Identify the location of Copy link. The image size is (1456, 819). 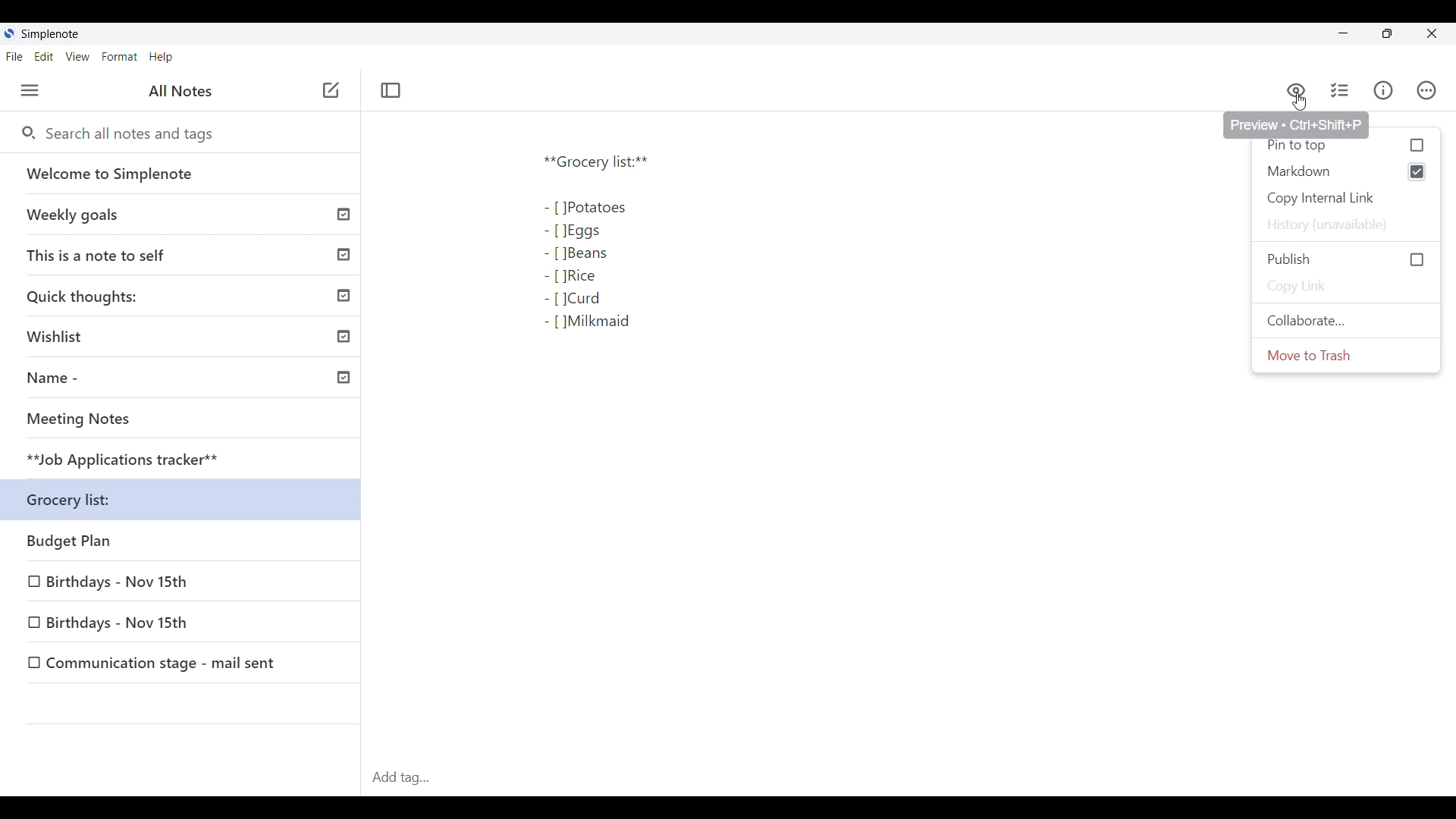
(1348, 287).